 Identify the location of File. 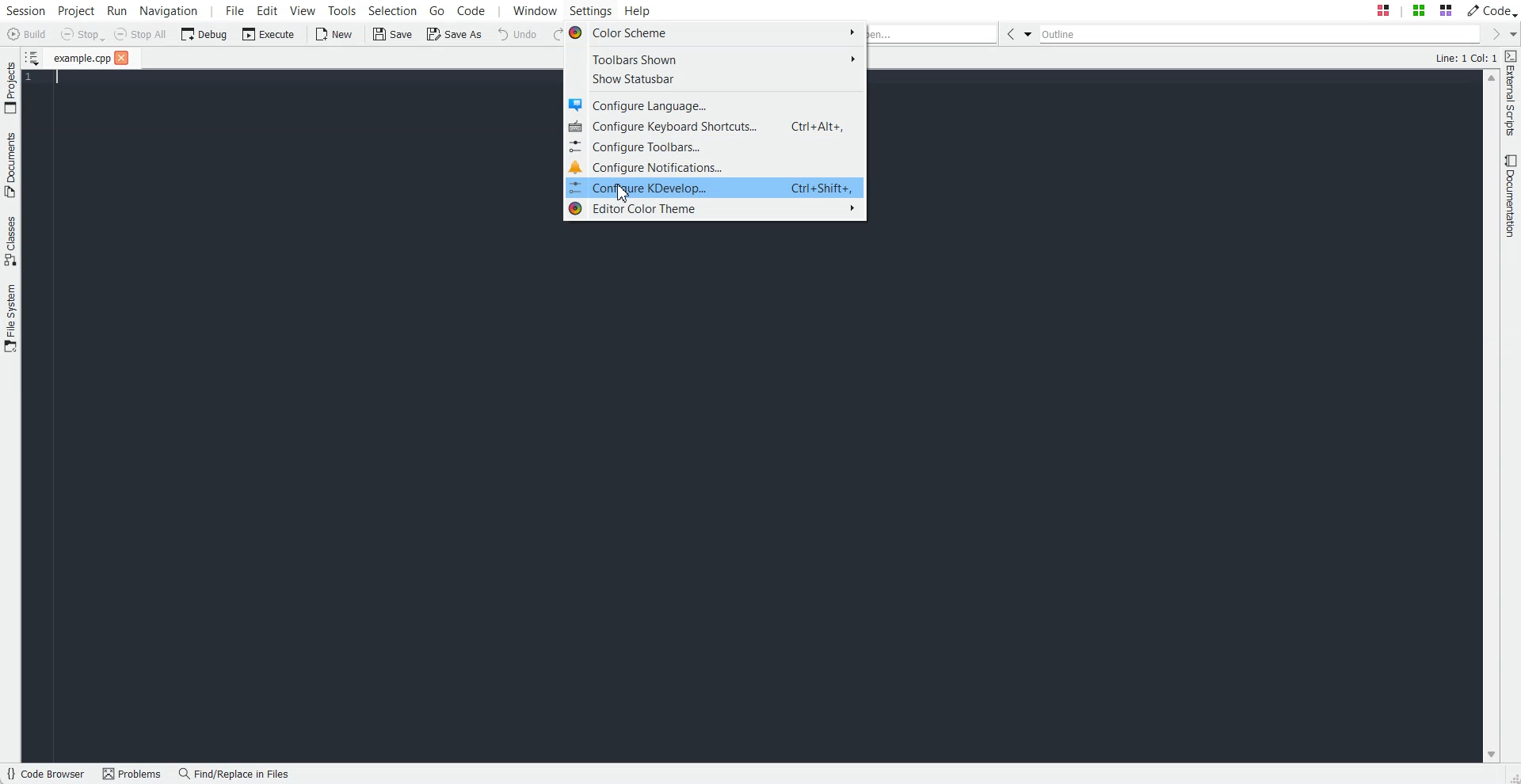
(81, 58).